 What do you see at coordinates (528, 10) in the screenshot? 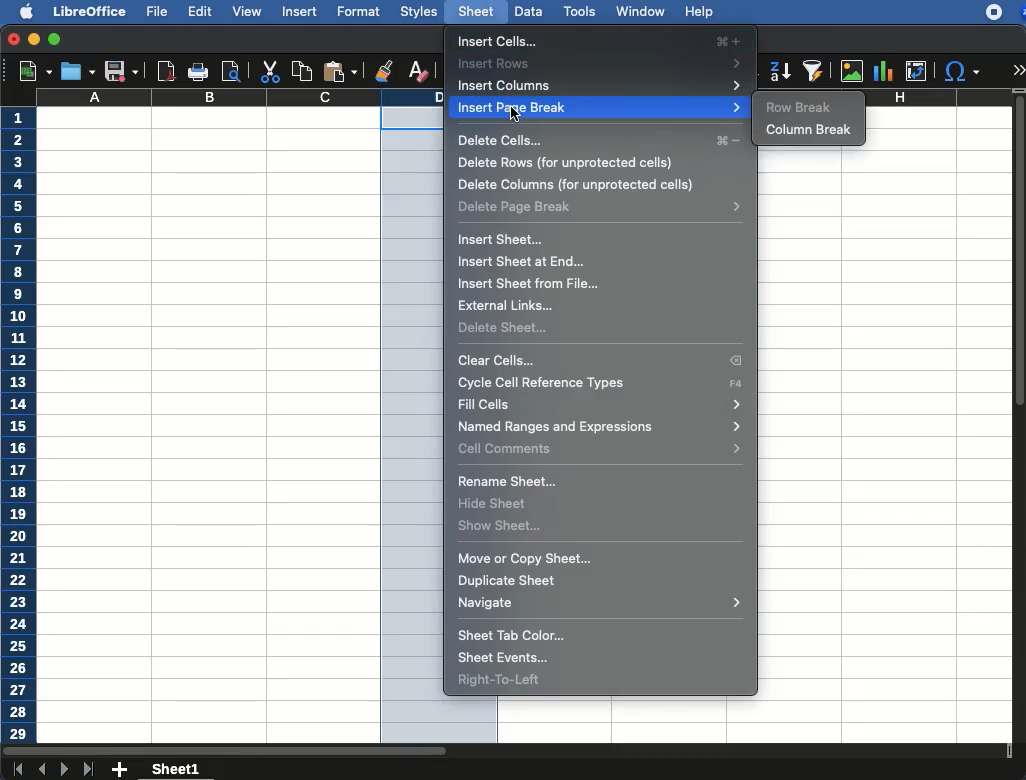
I see `data` at bounding box center [528, 10].